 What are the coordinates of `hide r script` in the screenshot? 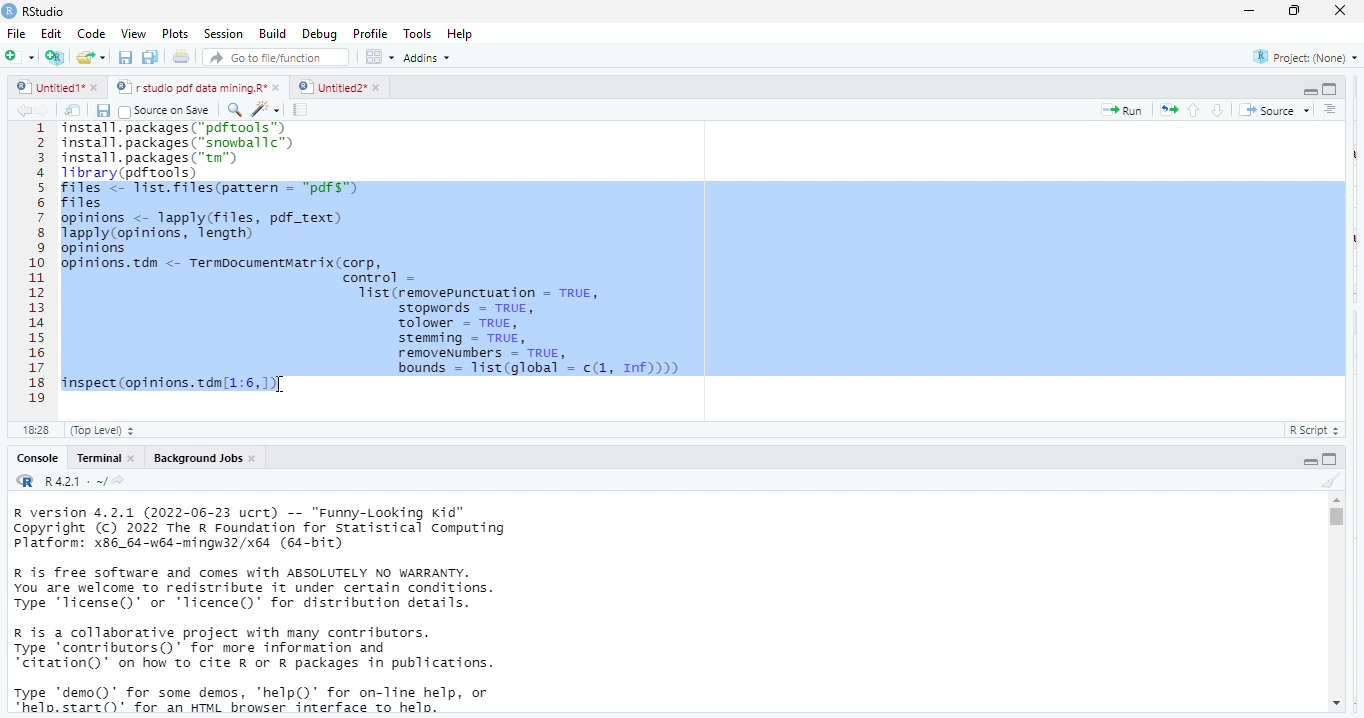 It's located at (1310, 92).